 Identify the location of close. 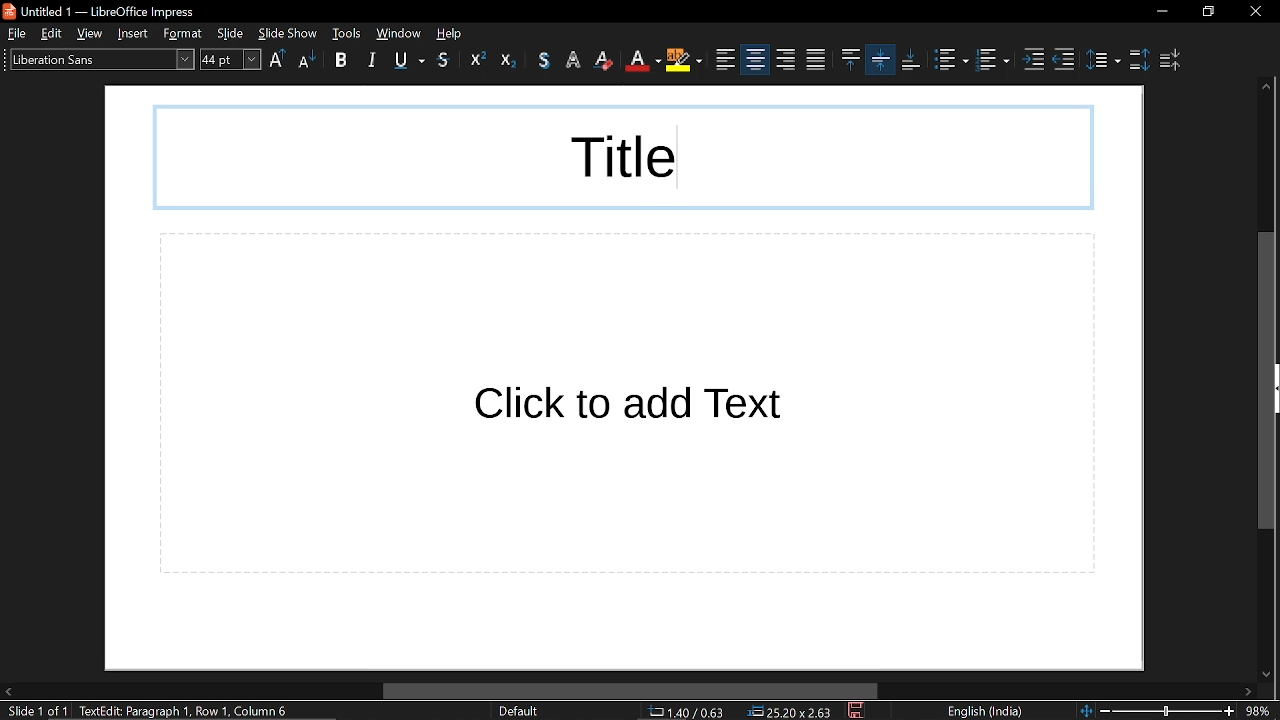
(1255, 12).